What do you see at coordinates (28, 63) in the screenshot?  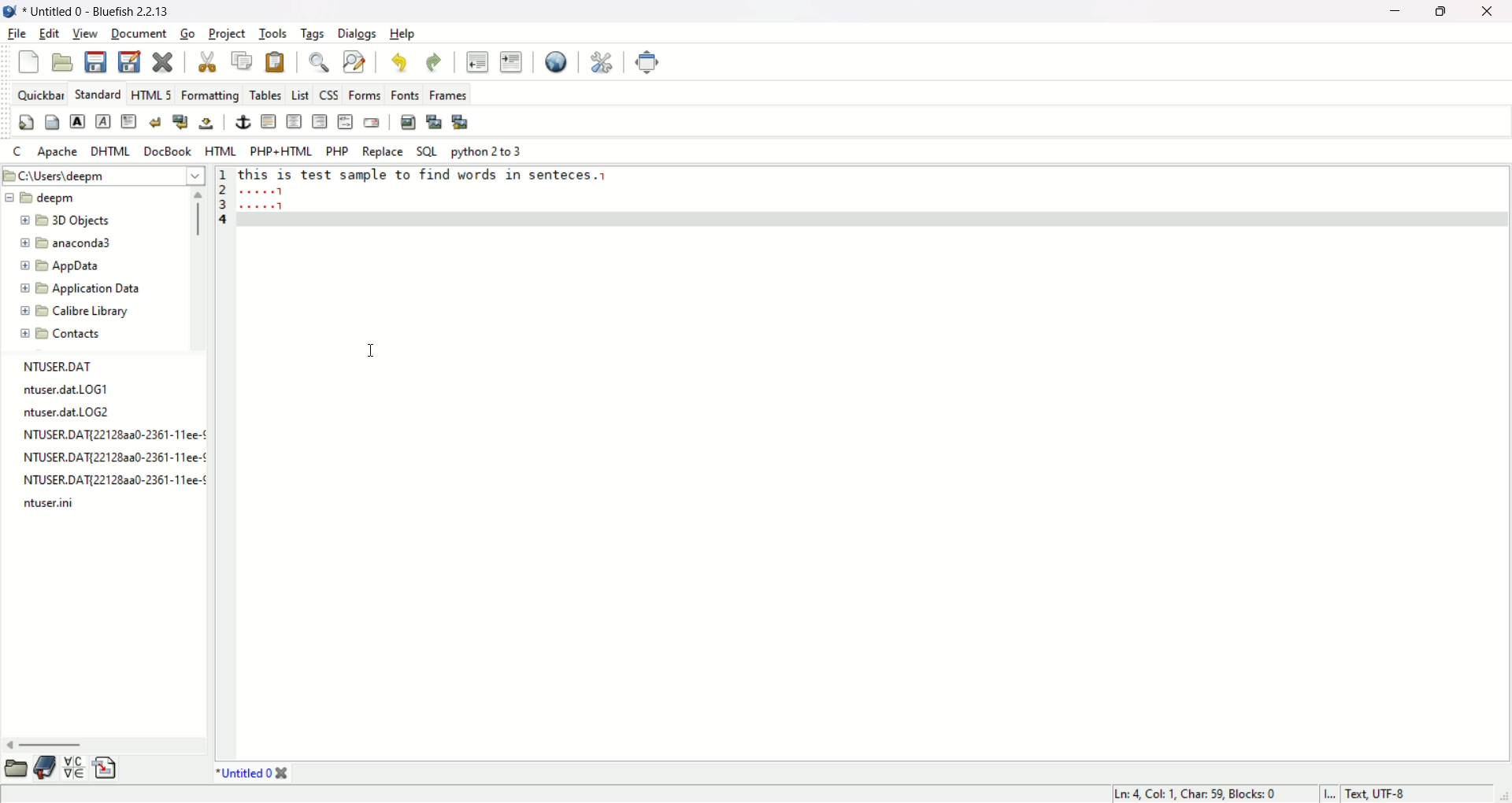 I see `new` at bounding box center [28, 63].